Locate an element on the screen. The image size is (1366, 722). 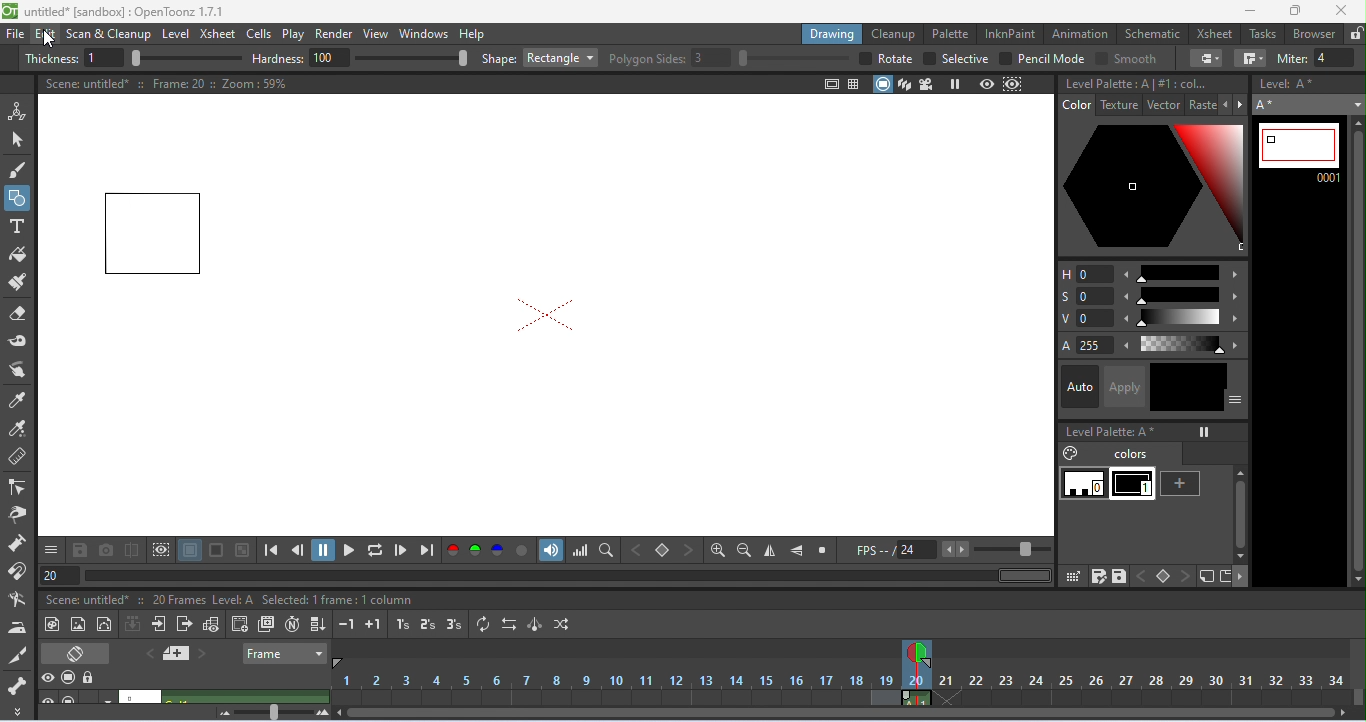
preview is located at coordinates (986, 84).